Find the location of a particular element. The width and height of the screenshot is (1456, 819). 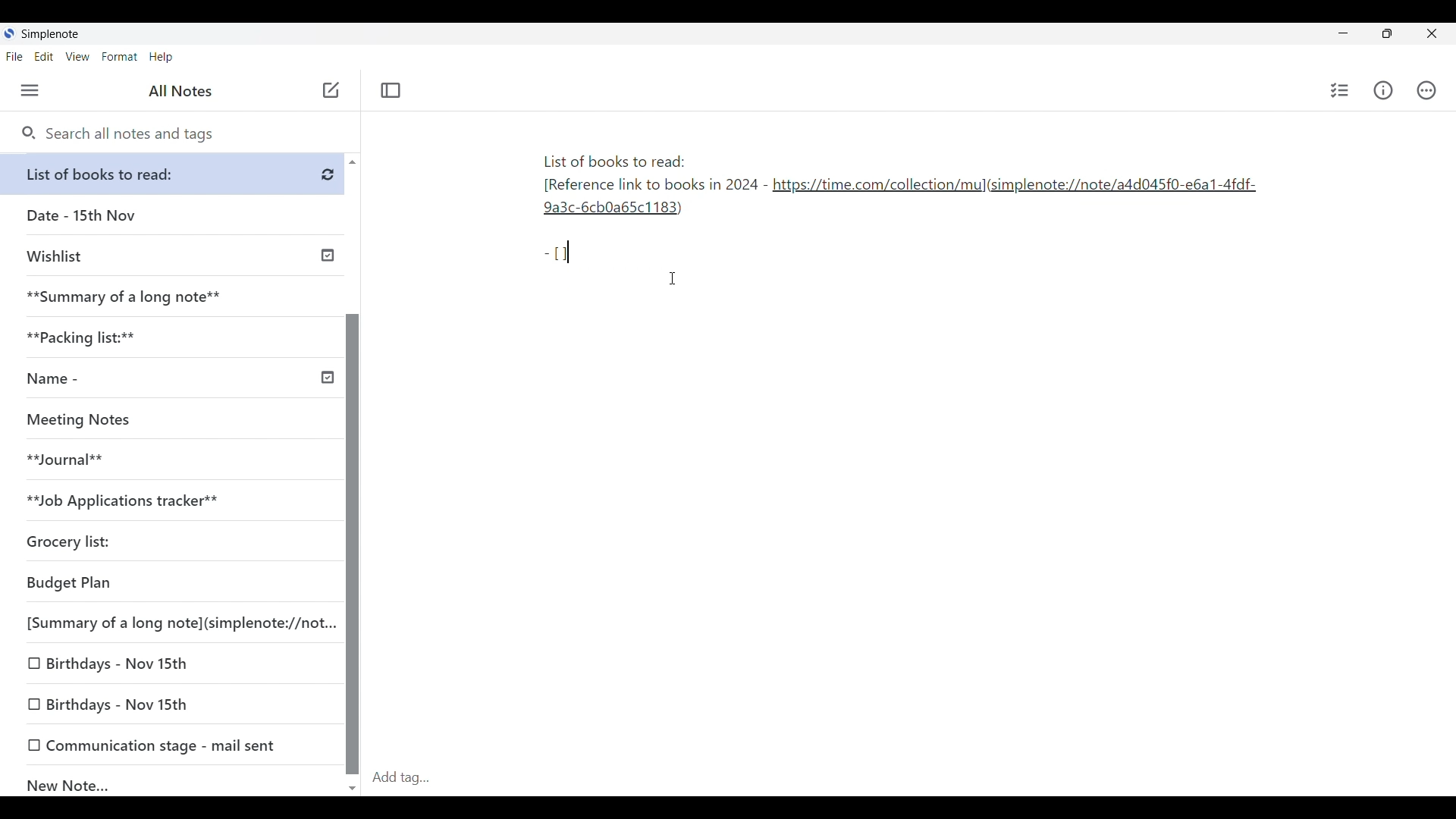

Search all notes and tags is located at coordinates (118, 134).